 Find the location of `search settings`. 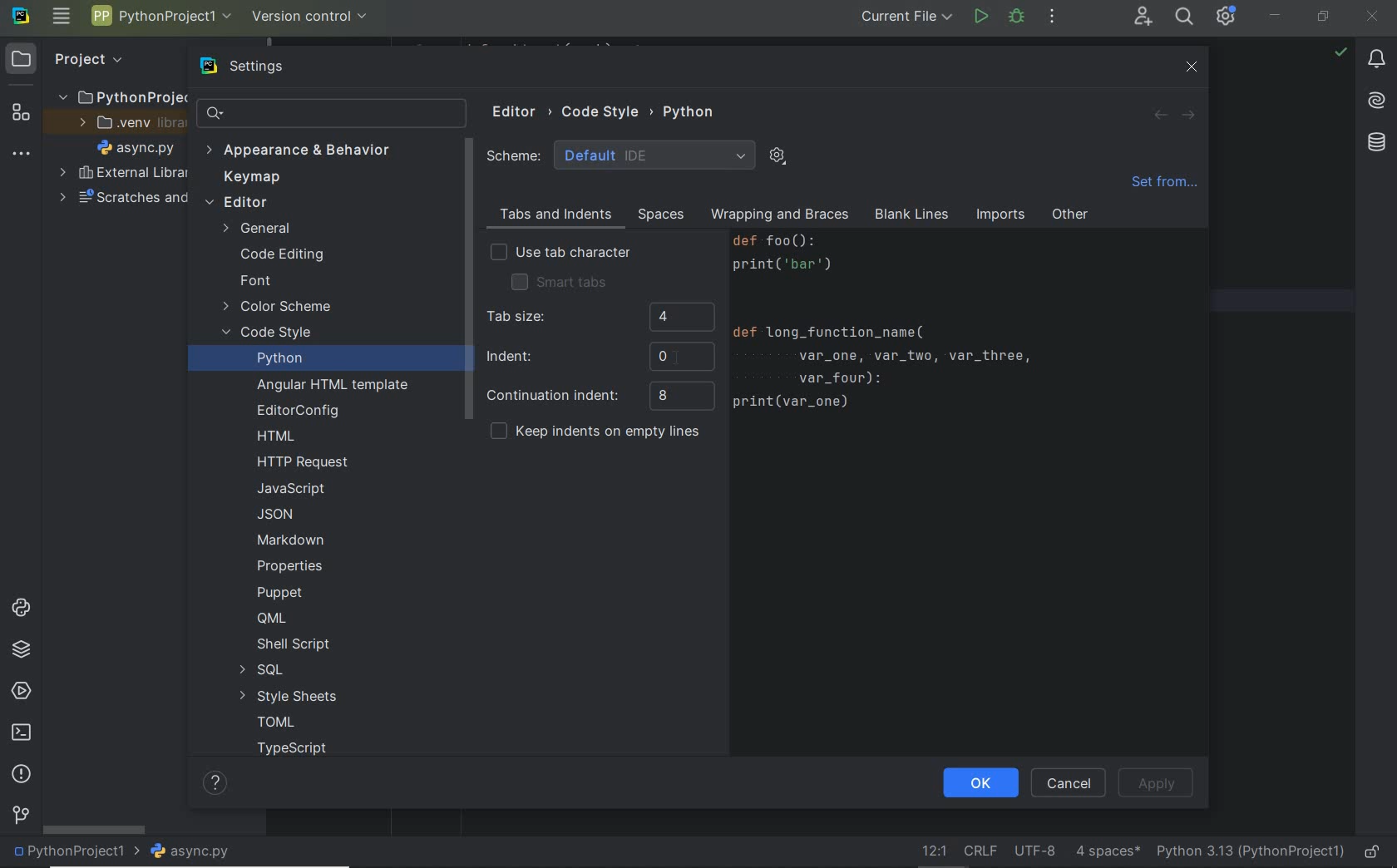

search settings is located at coordinates (333, 113).